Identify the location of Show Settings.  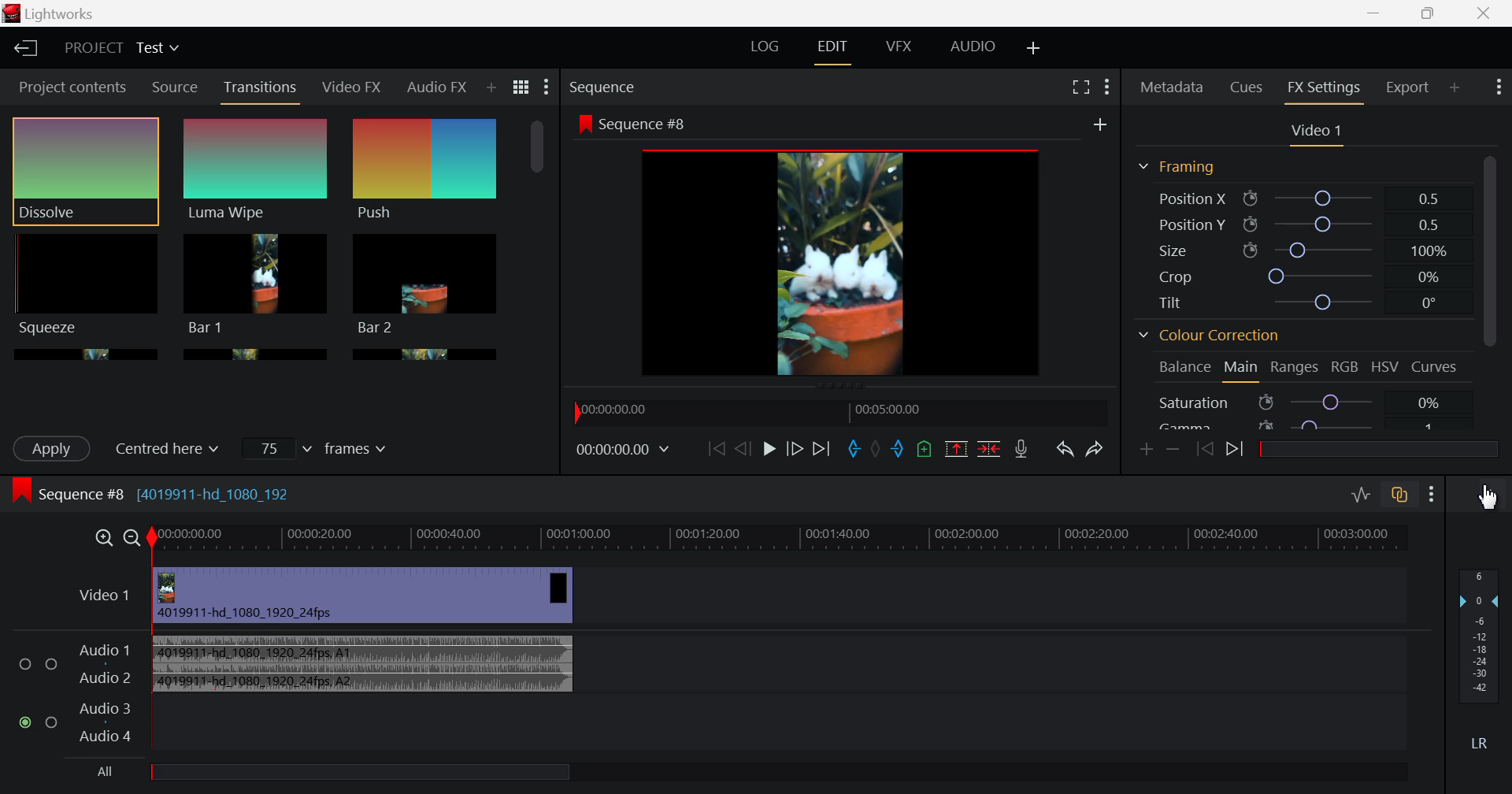
(547, 87).